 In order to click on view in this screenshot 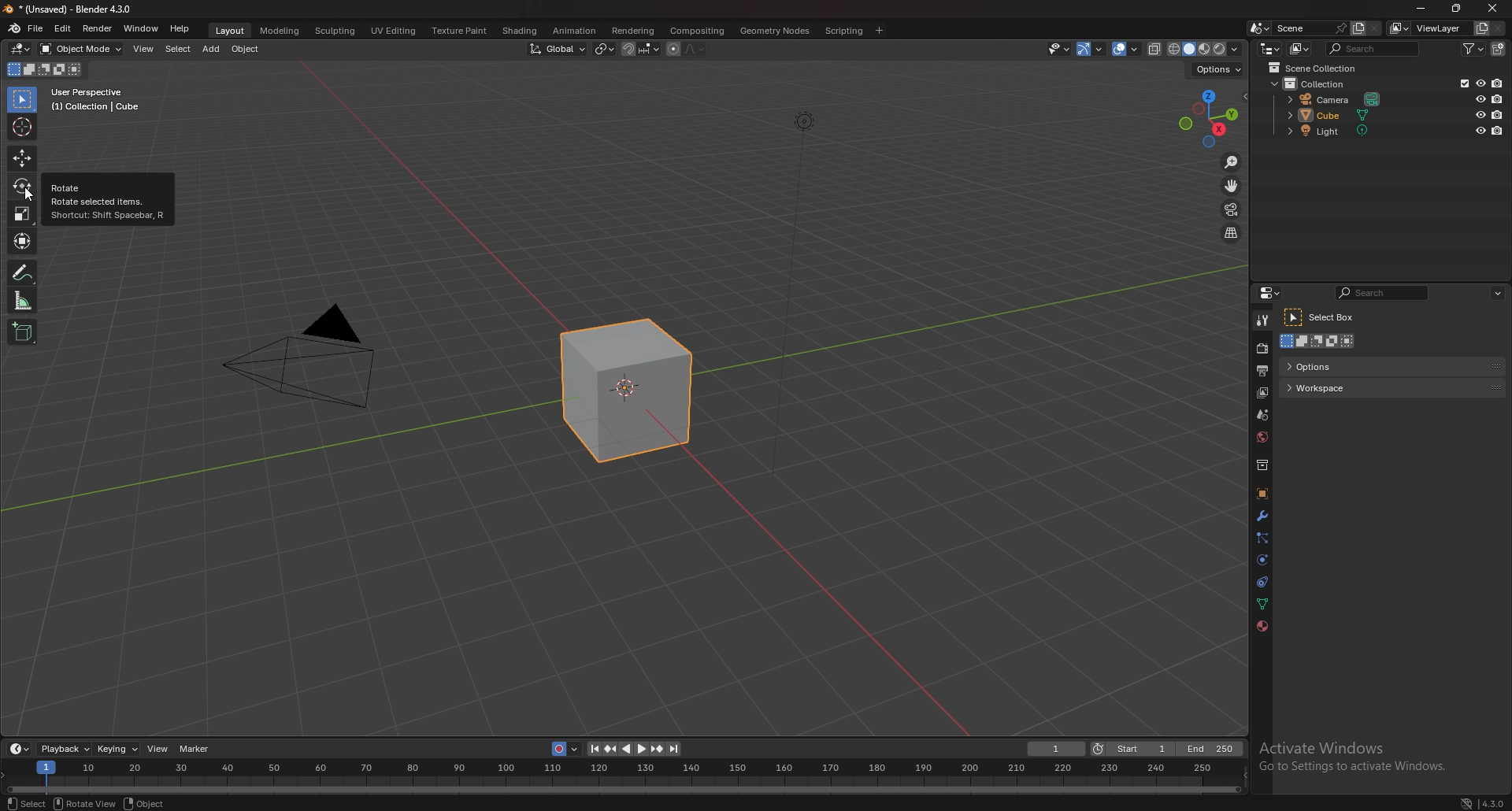, I will do `click(158, 749)`.